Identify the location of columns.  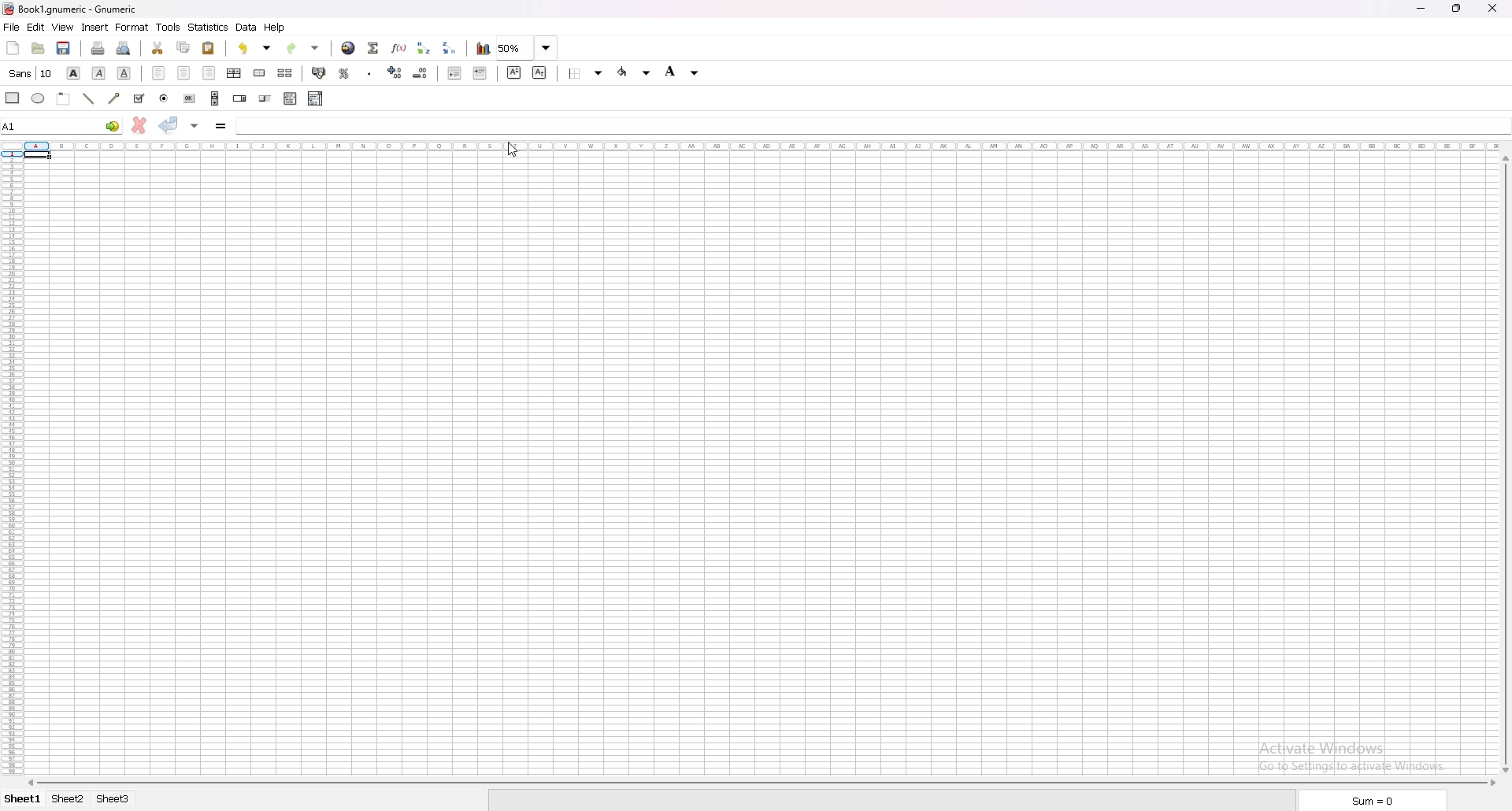
(262, 147).